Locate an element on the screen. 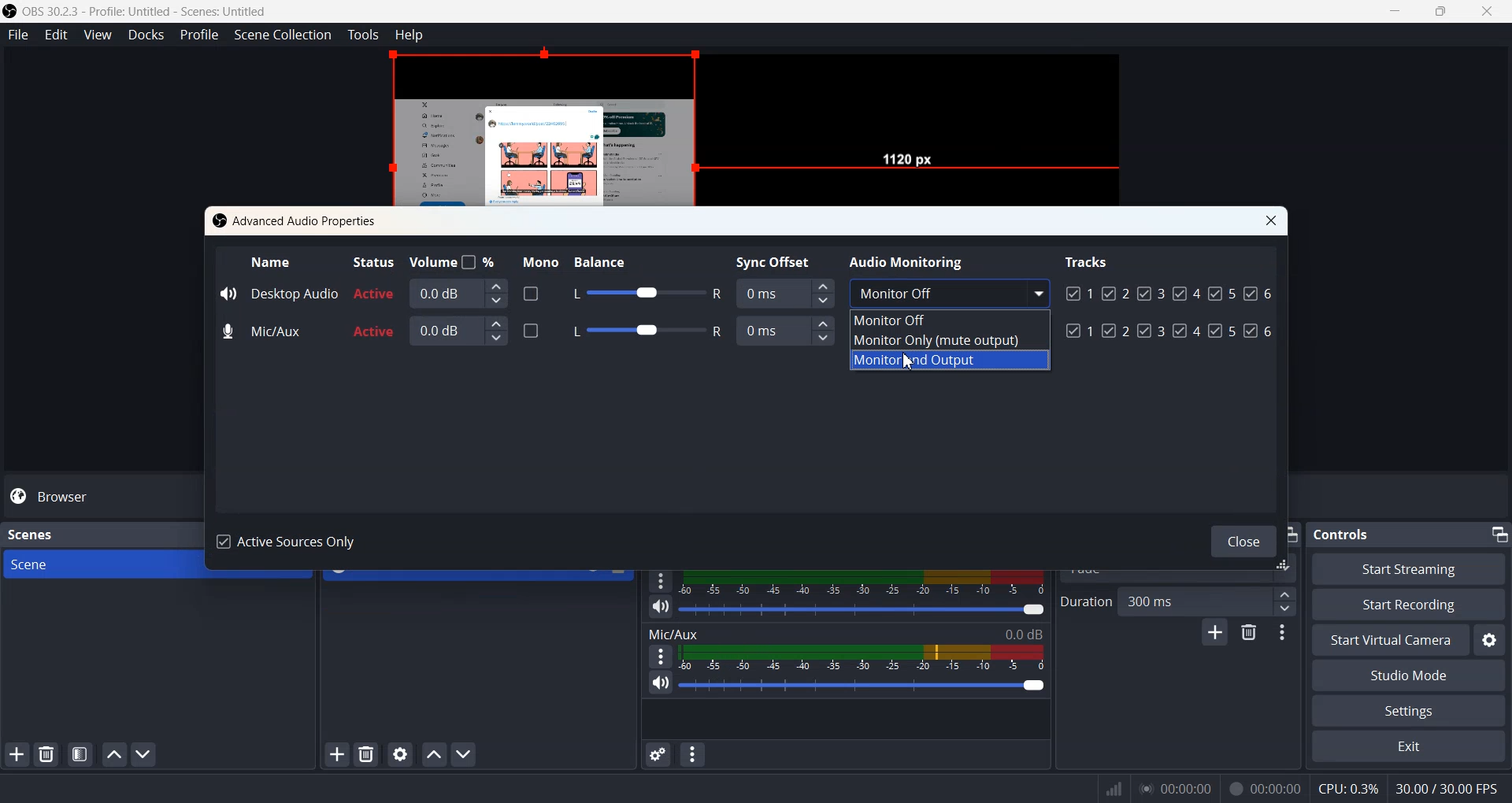 The width and height of the screenshot is (1512, 803). Monitor and Output is located at coordinates (951, 361).